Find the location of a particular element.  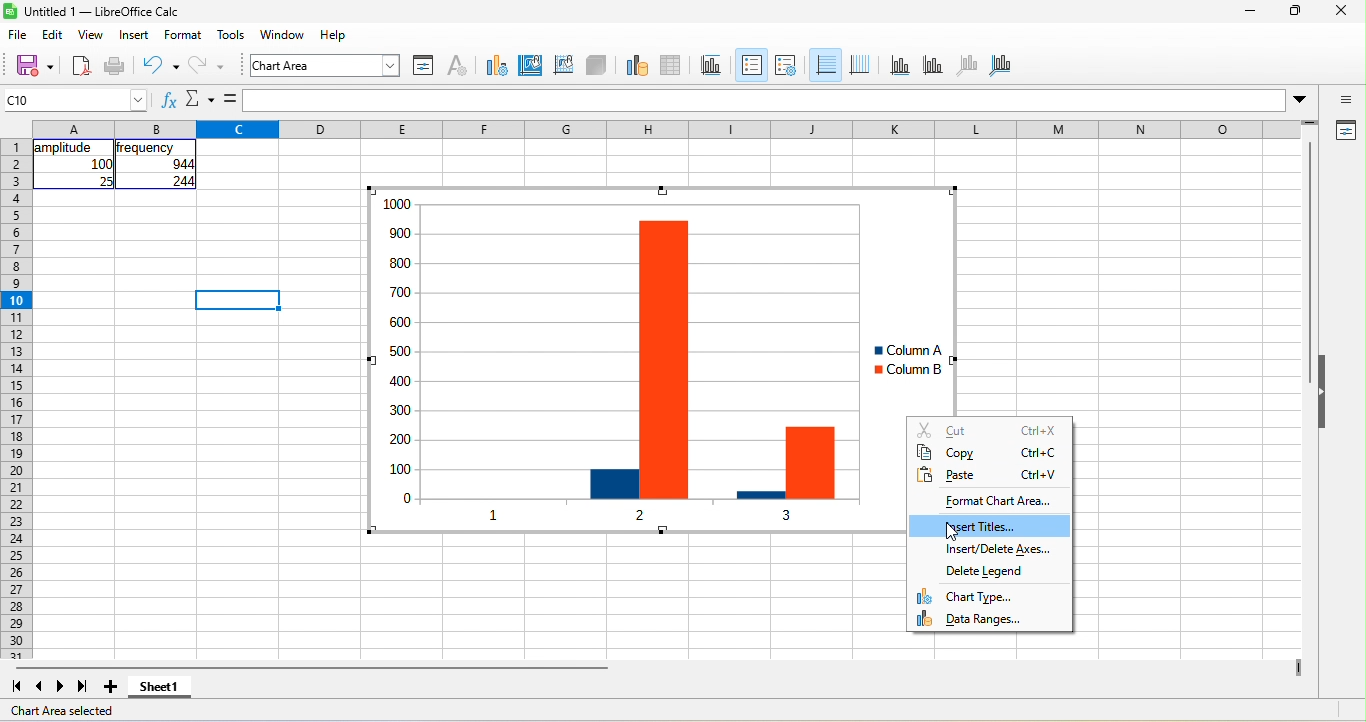

all aaxes is located at coordinates (1000, 66).